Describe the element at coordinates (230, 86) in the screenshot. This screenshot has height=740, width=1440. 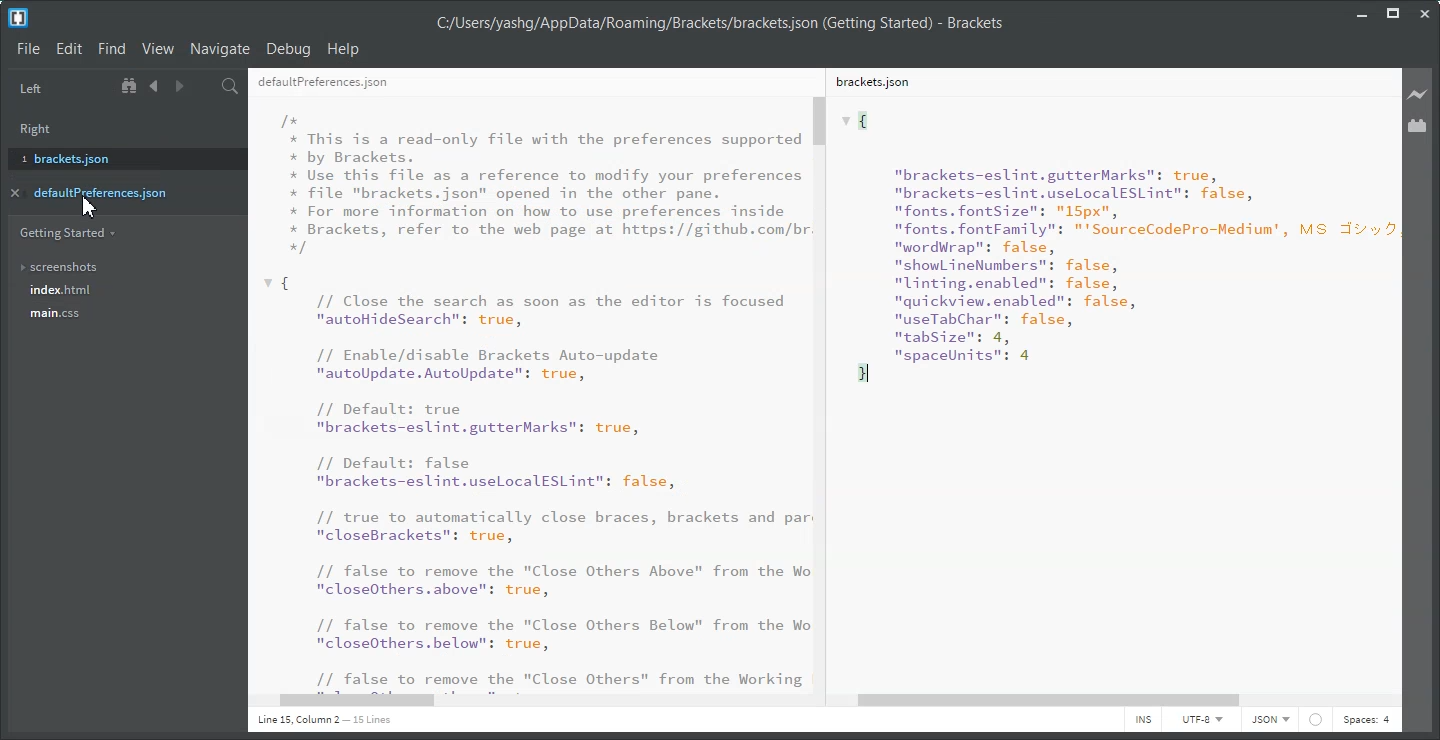
I see `Find in Files` at that location.